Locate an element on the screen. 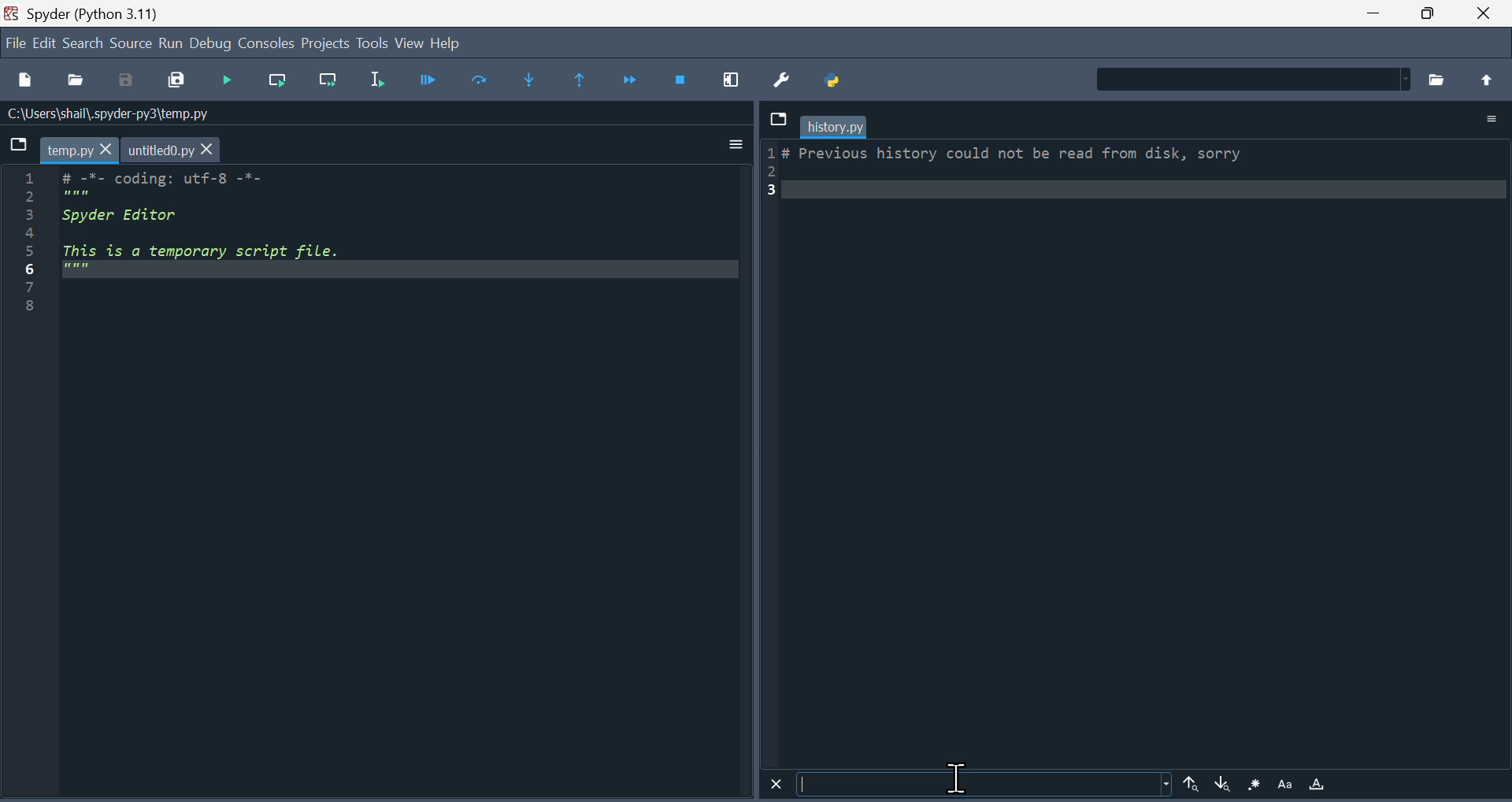  New file is located at coordinates (28, 81).